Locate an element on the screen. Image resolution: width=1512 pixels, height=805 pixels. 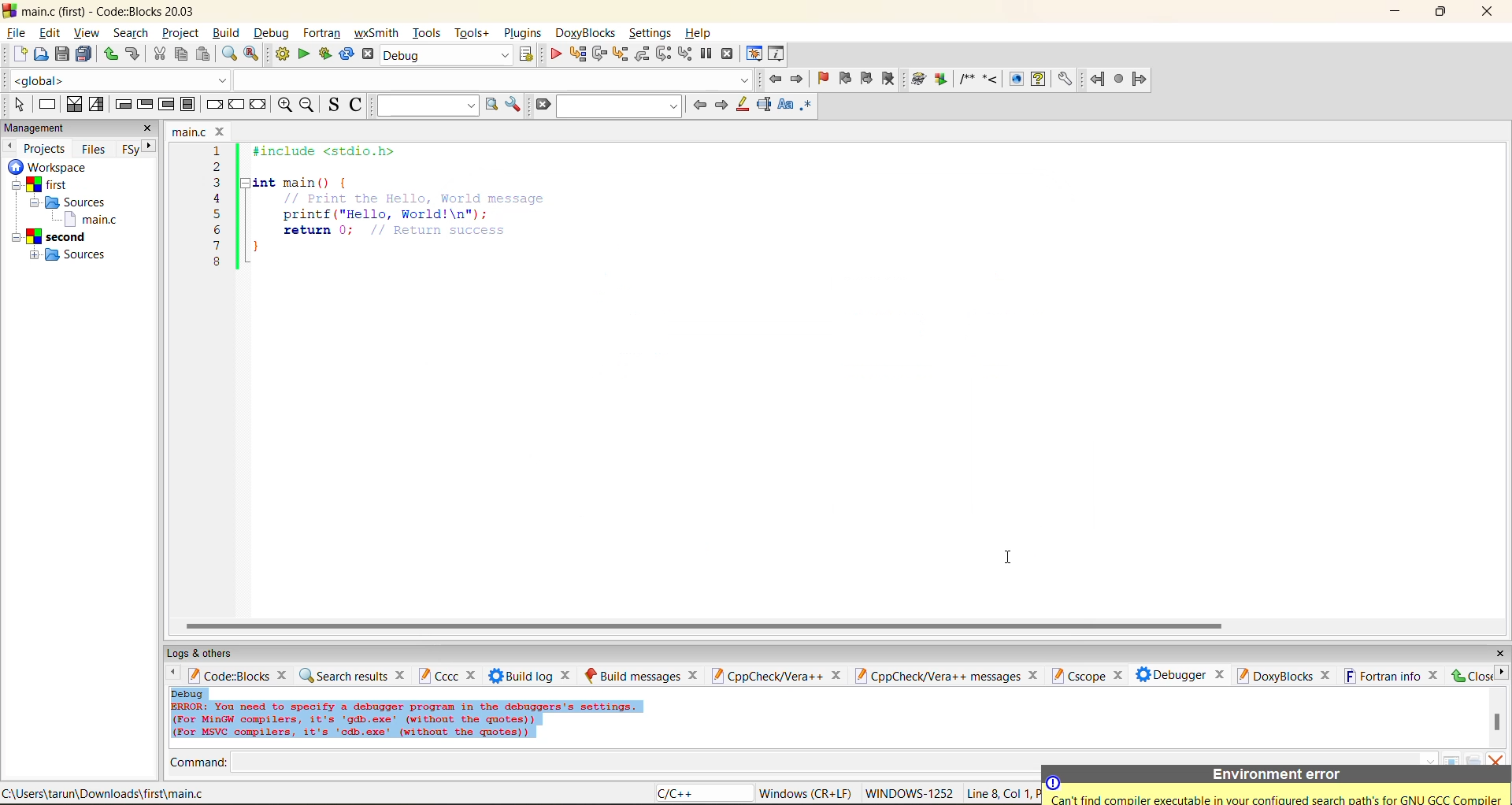
help is located at coordinates (700, 33).